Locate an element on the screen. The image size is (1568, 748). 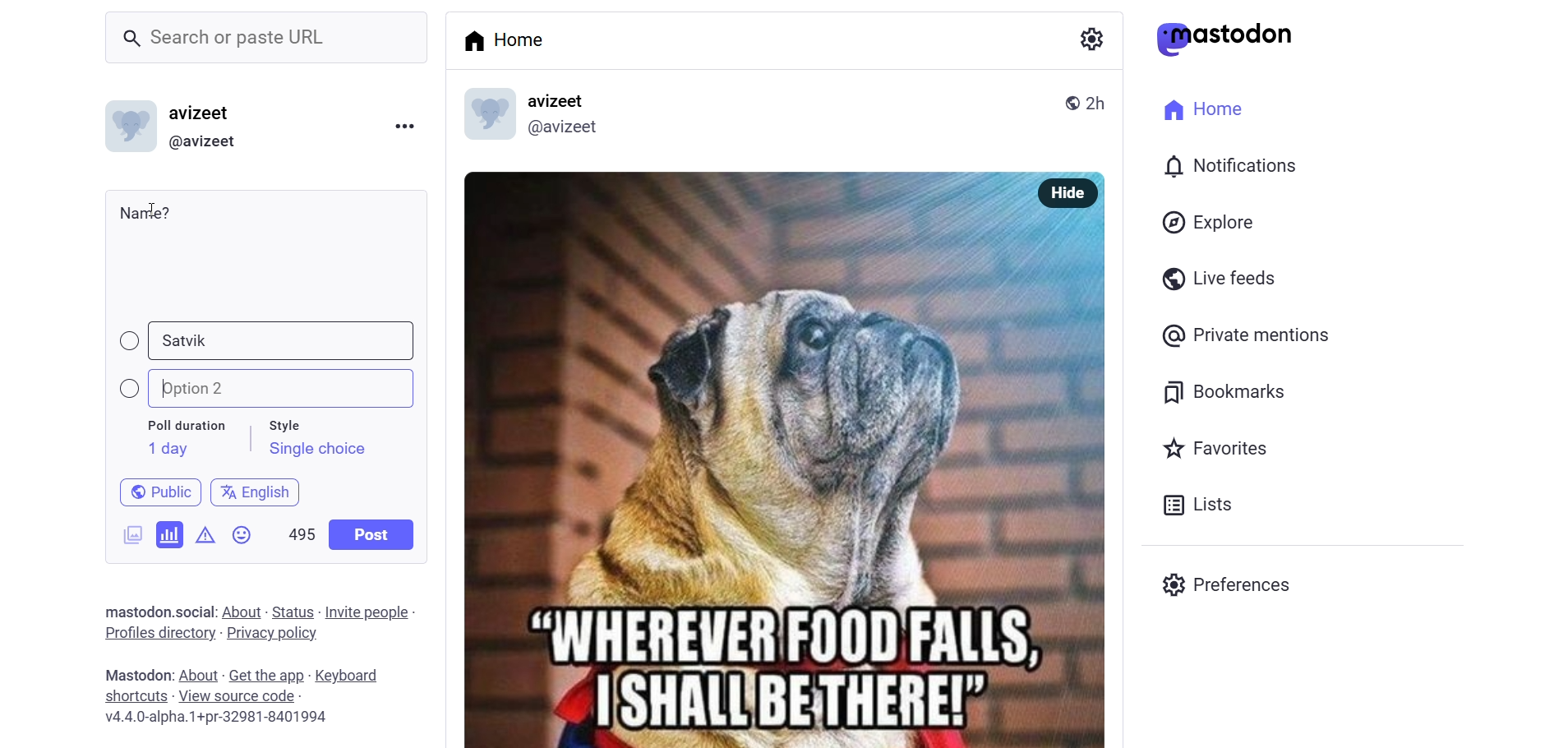
duration is located at coordinates (187, 427).